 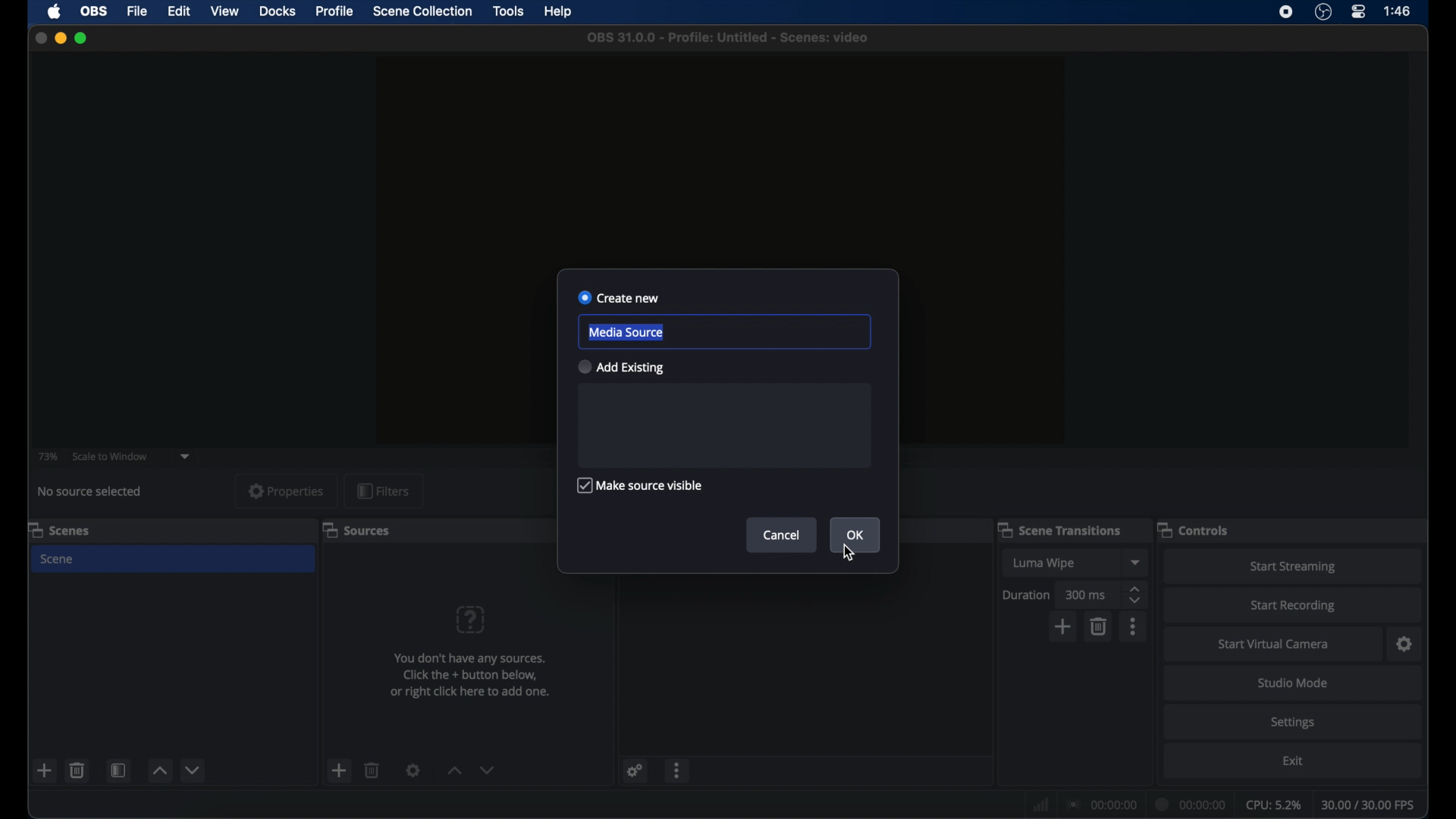 I want to click on file name, so click(x=732, y=38).